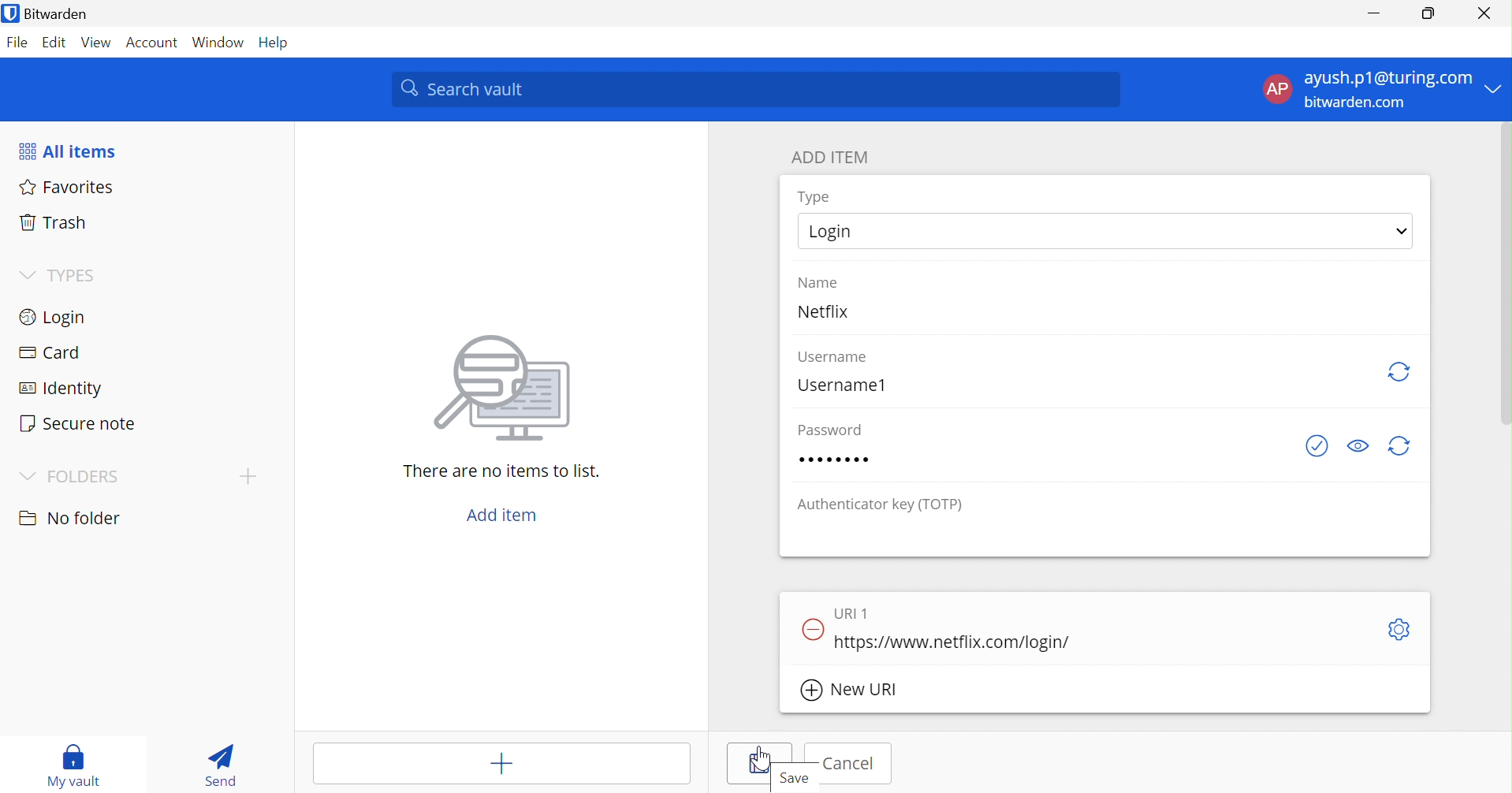 This screenshot has width=1512, height=793. Describe the element at coordinates (47, 350) in the screenshot. I see `Card` at that location.